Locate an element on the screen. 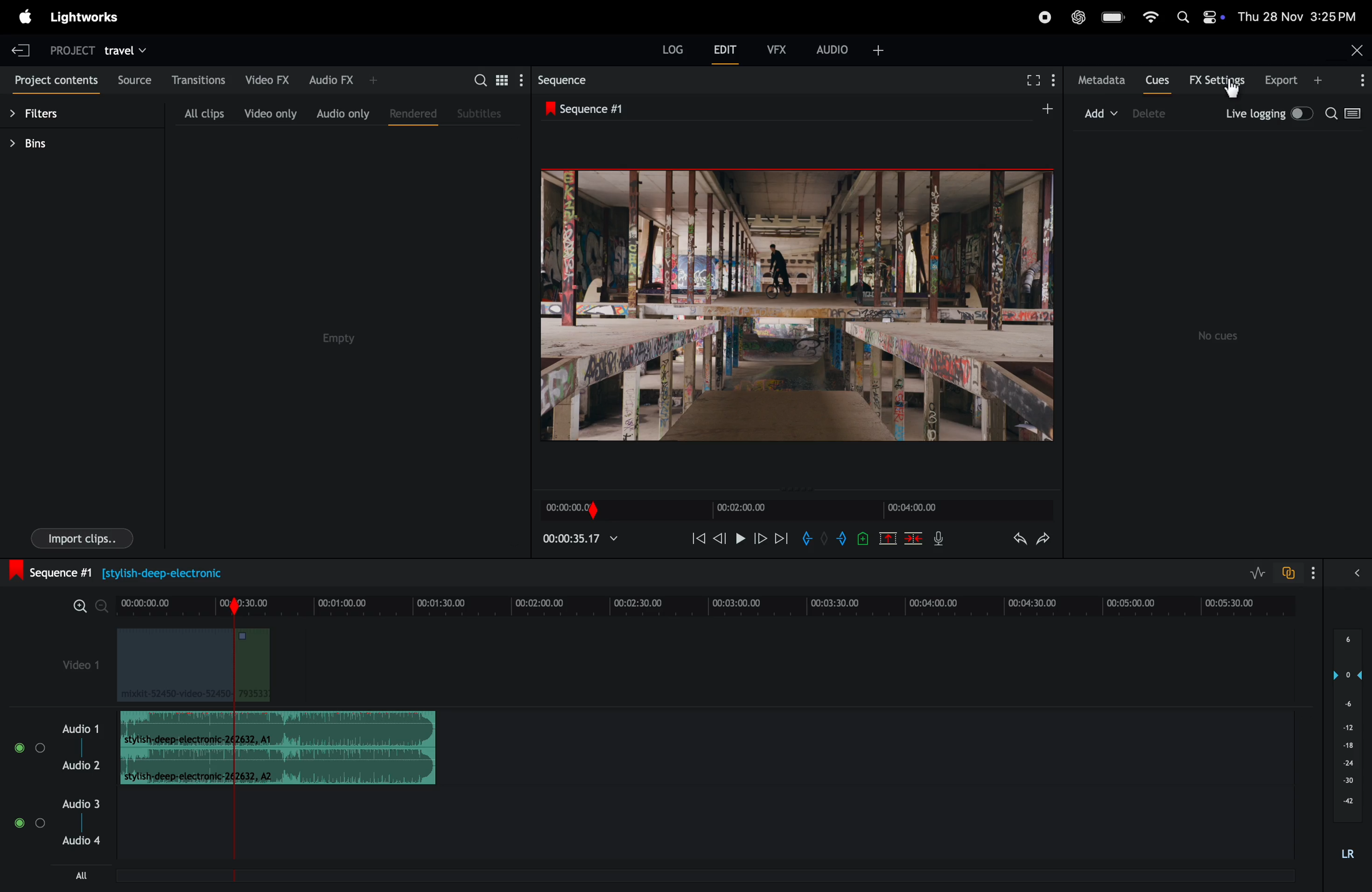  all is located at coordinates (70, 876).